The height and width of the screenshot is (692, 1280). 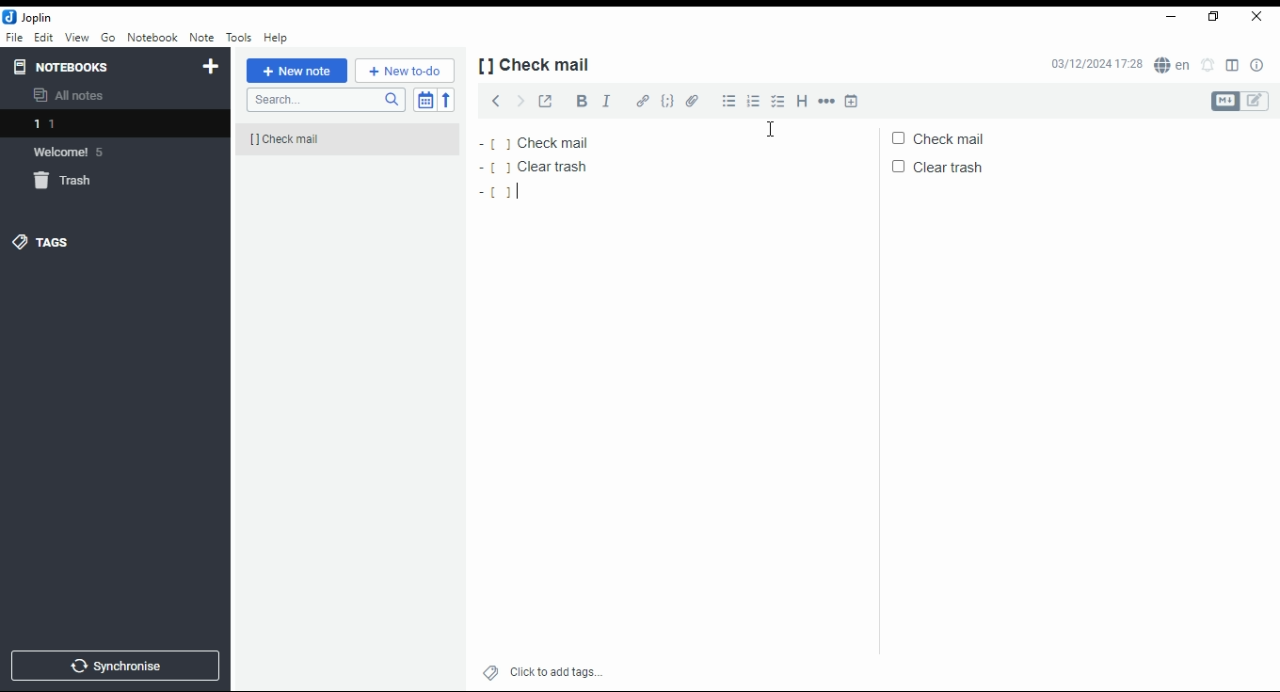 I want to click on New to-do, so click(x=405, y=70).